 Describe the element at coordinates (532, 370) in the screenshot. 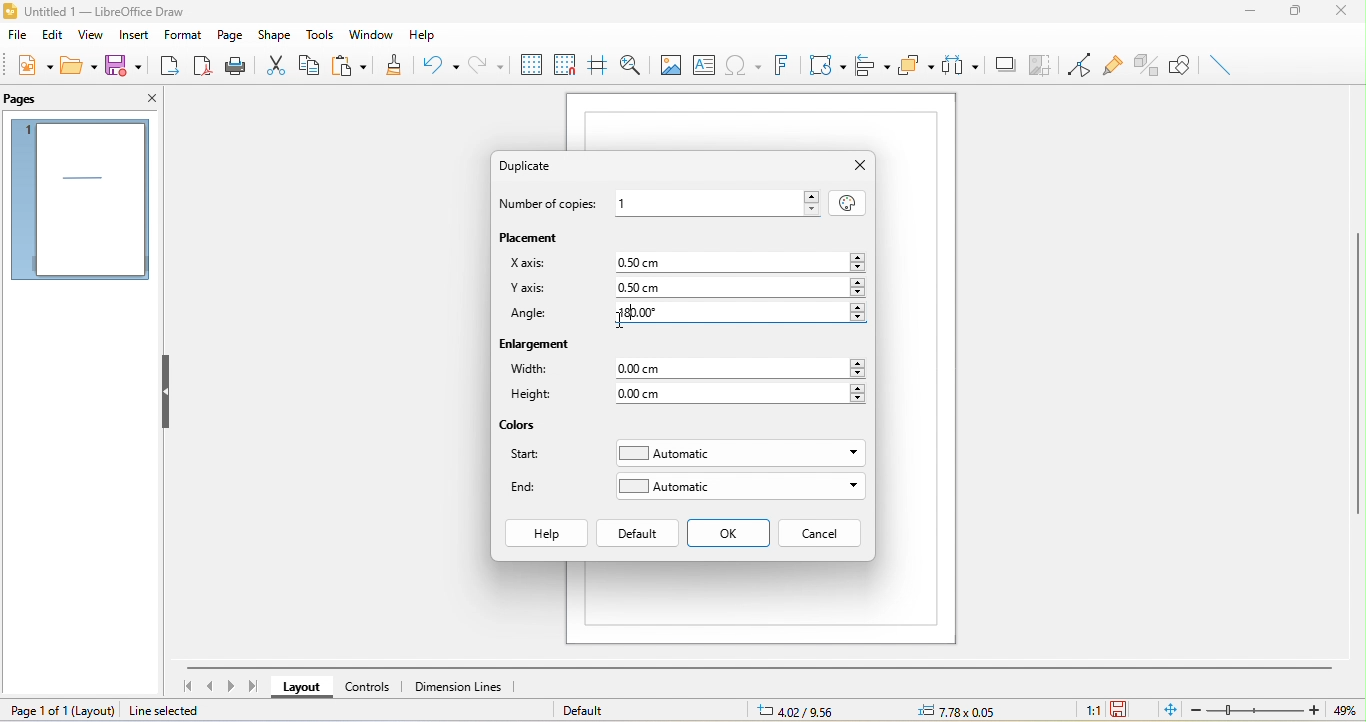

I see `widith` at that location.